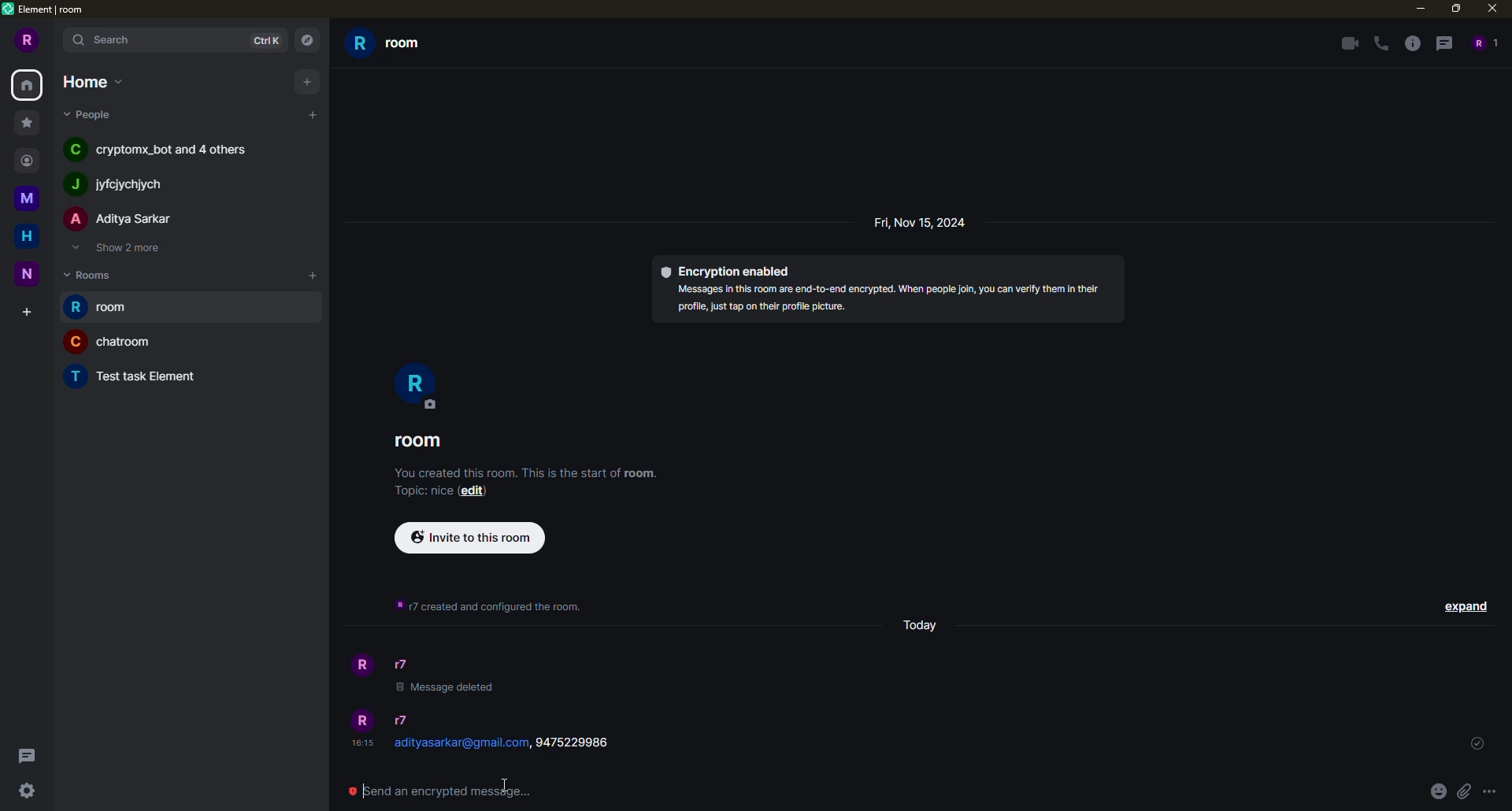 The width and height of the screenshot is (1512, 811). I want to click on space, so click(29, 196).